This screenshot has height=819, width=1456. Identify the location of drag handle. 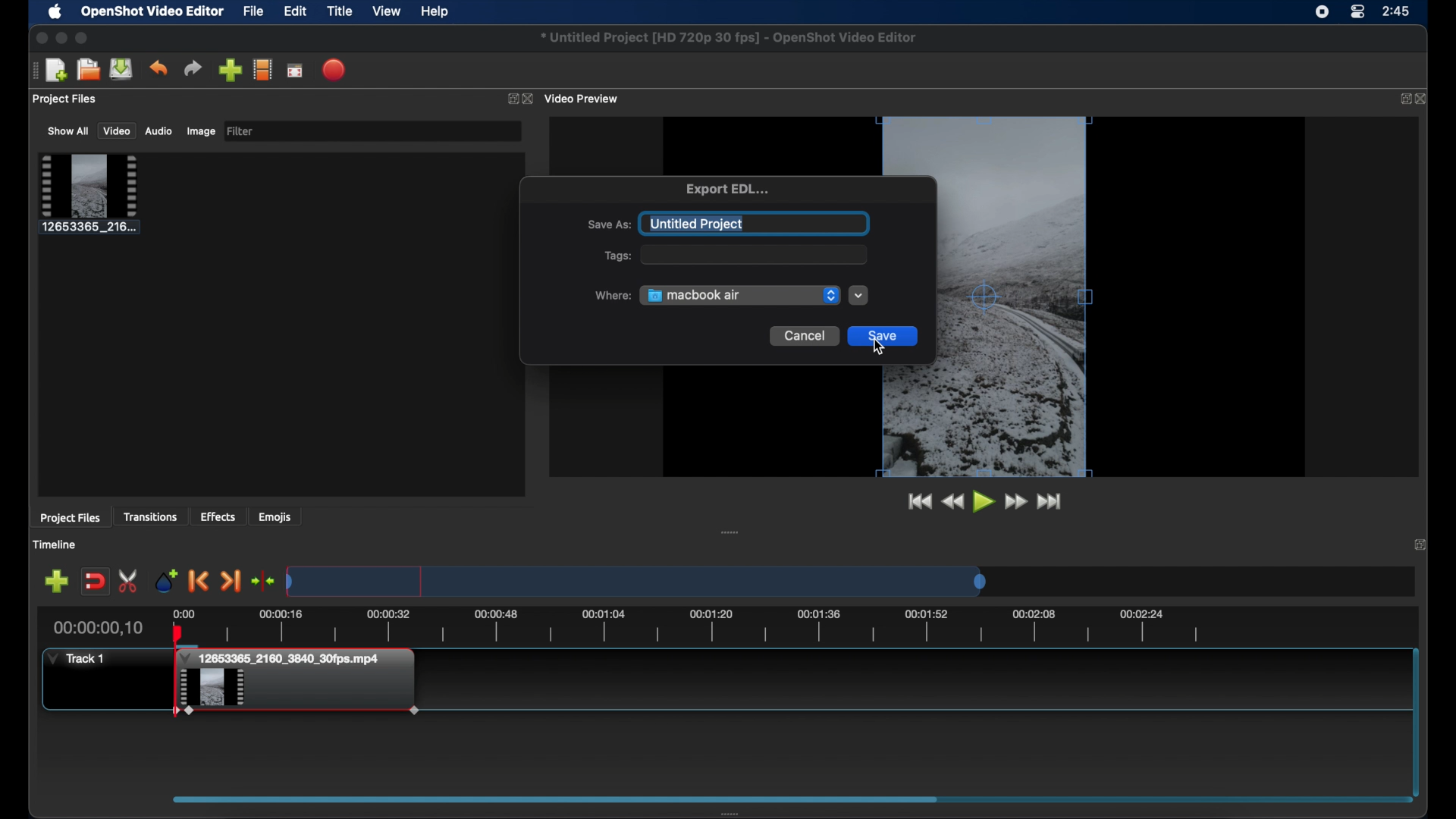
(31, 71).